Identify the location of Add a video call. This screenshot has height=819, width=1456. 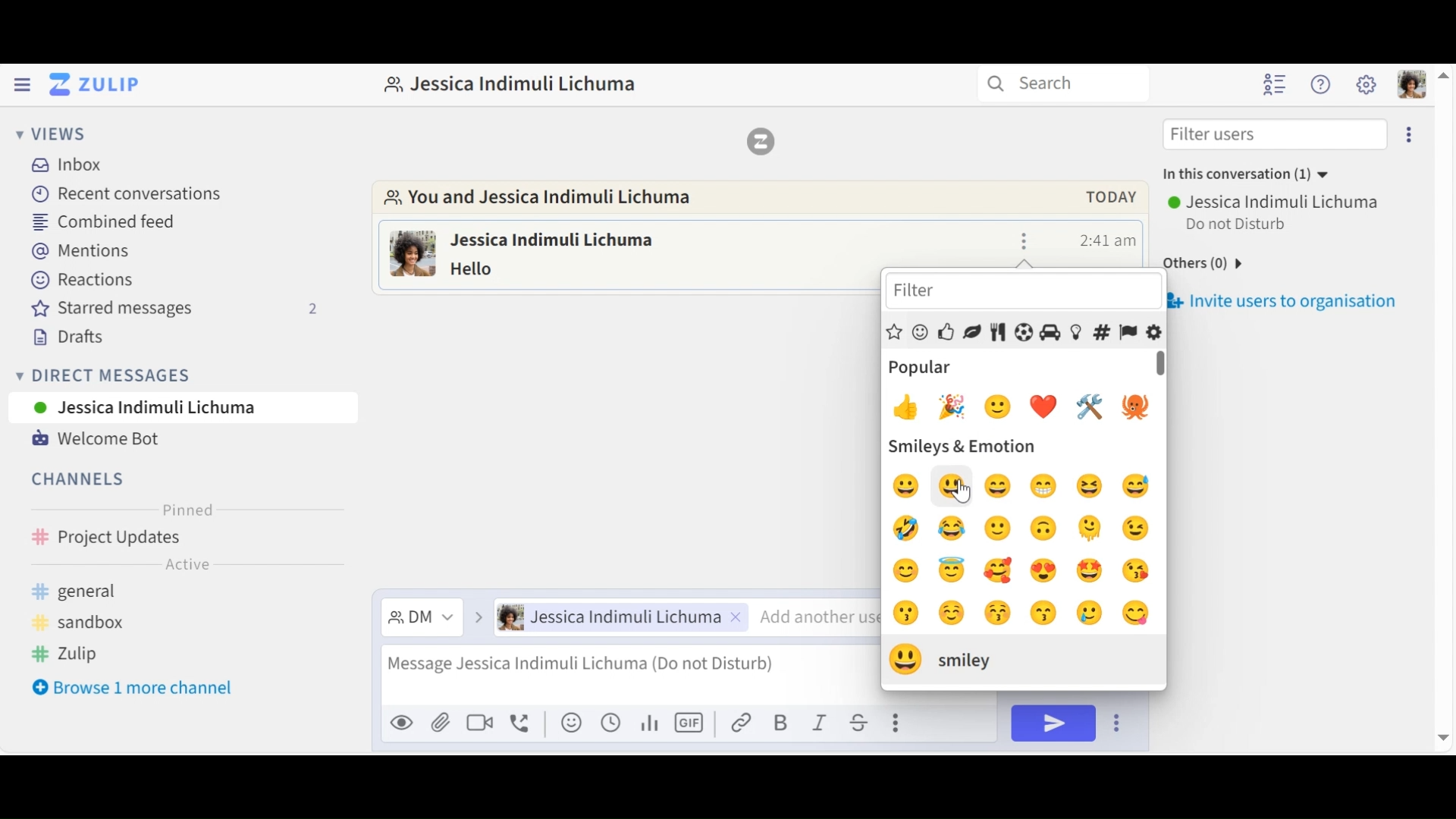
(479, 725).